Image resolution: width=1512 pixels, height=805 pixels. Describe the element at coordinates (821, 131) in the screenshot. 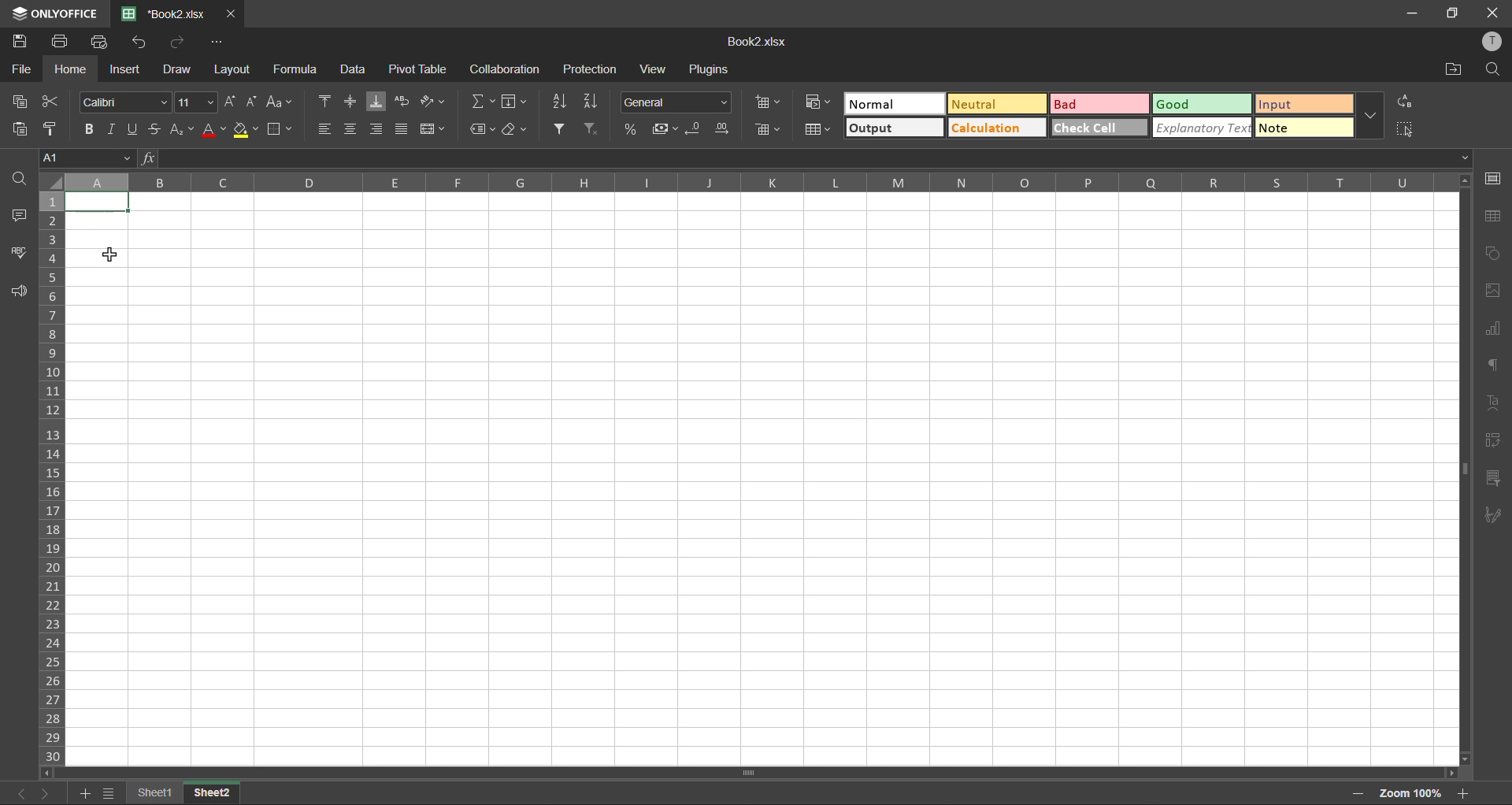

I see `format as table` at that location.